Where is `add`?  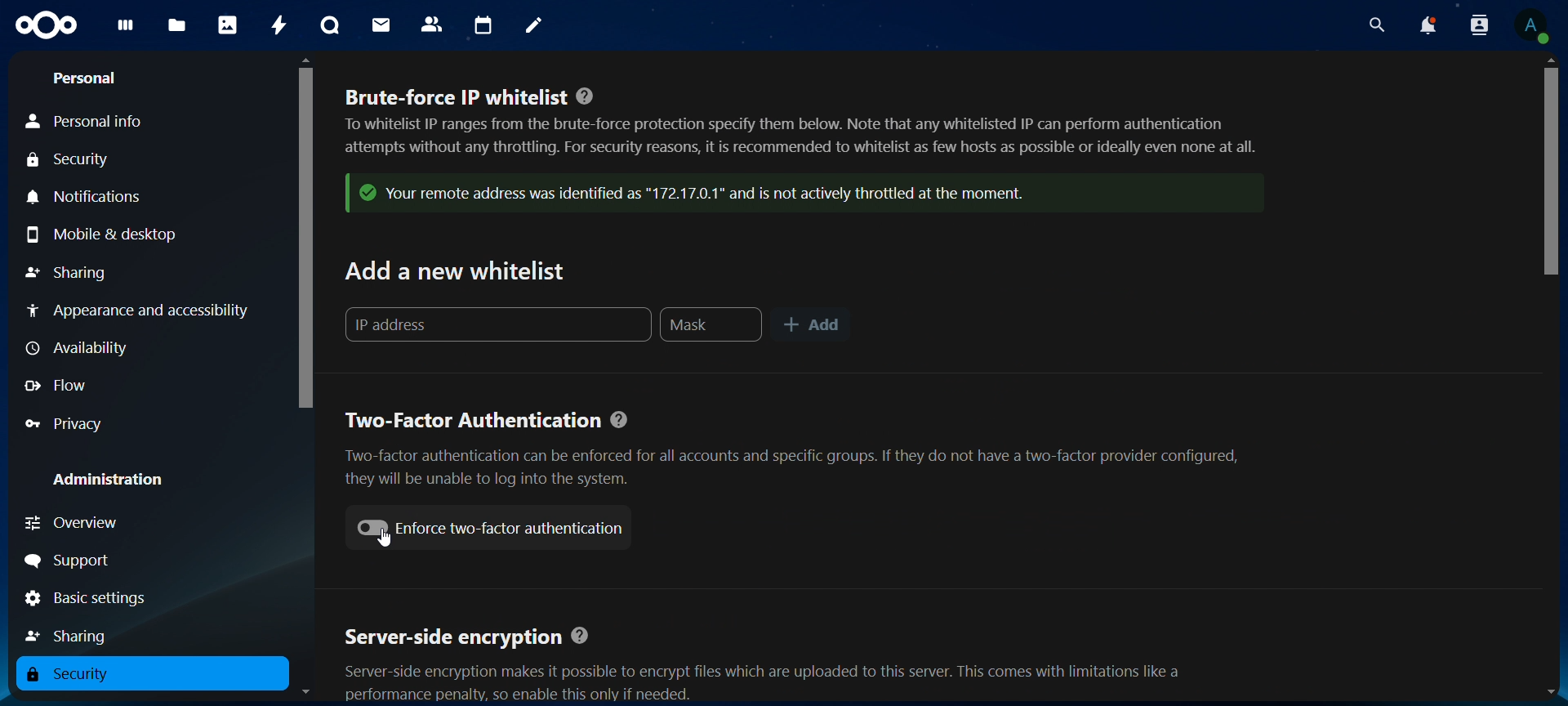 add is located at coordinates (810, 326).